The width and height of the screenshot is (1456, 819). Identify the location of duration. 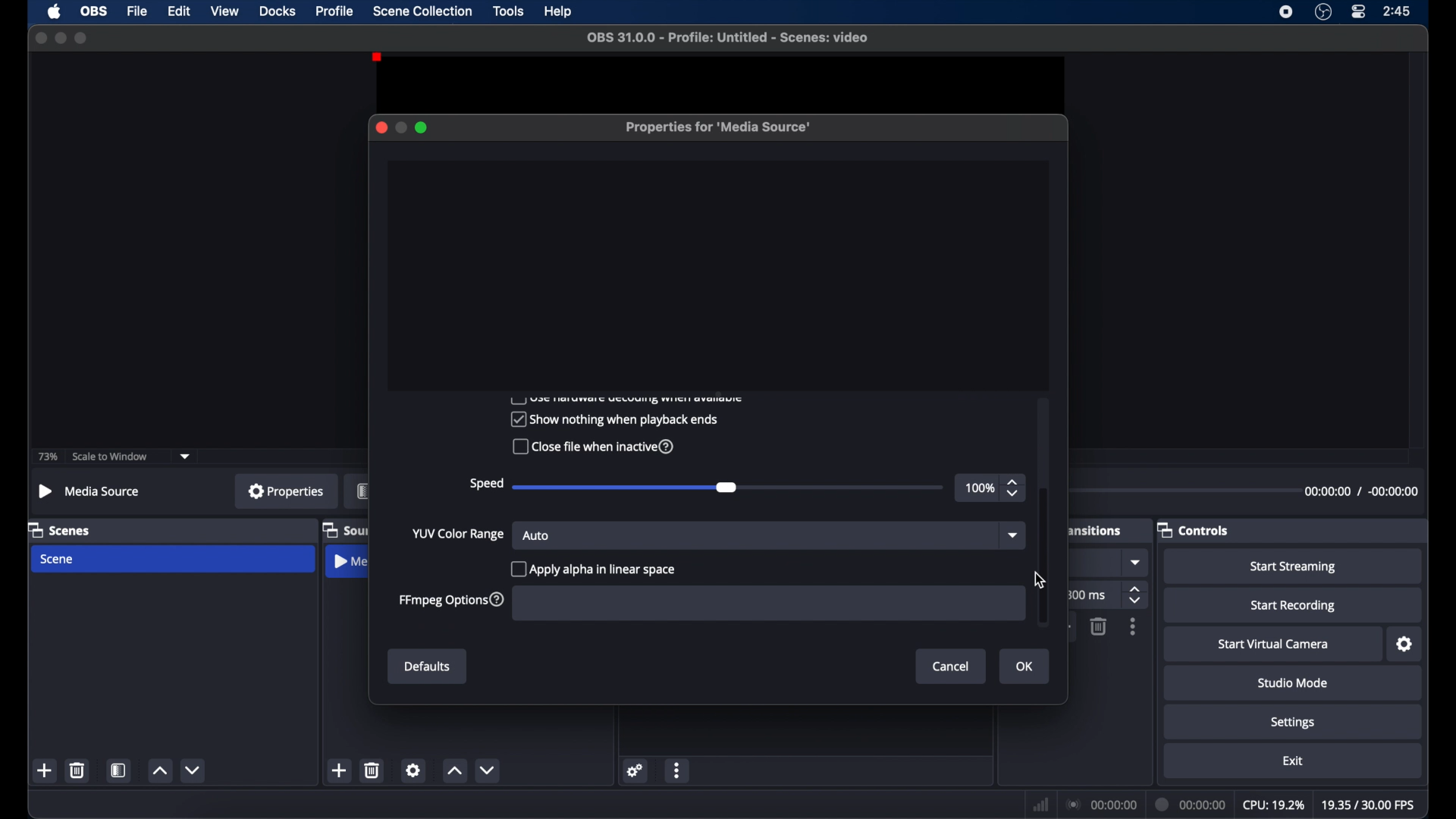
(1361, 491).